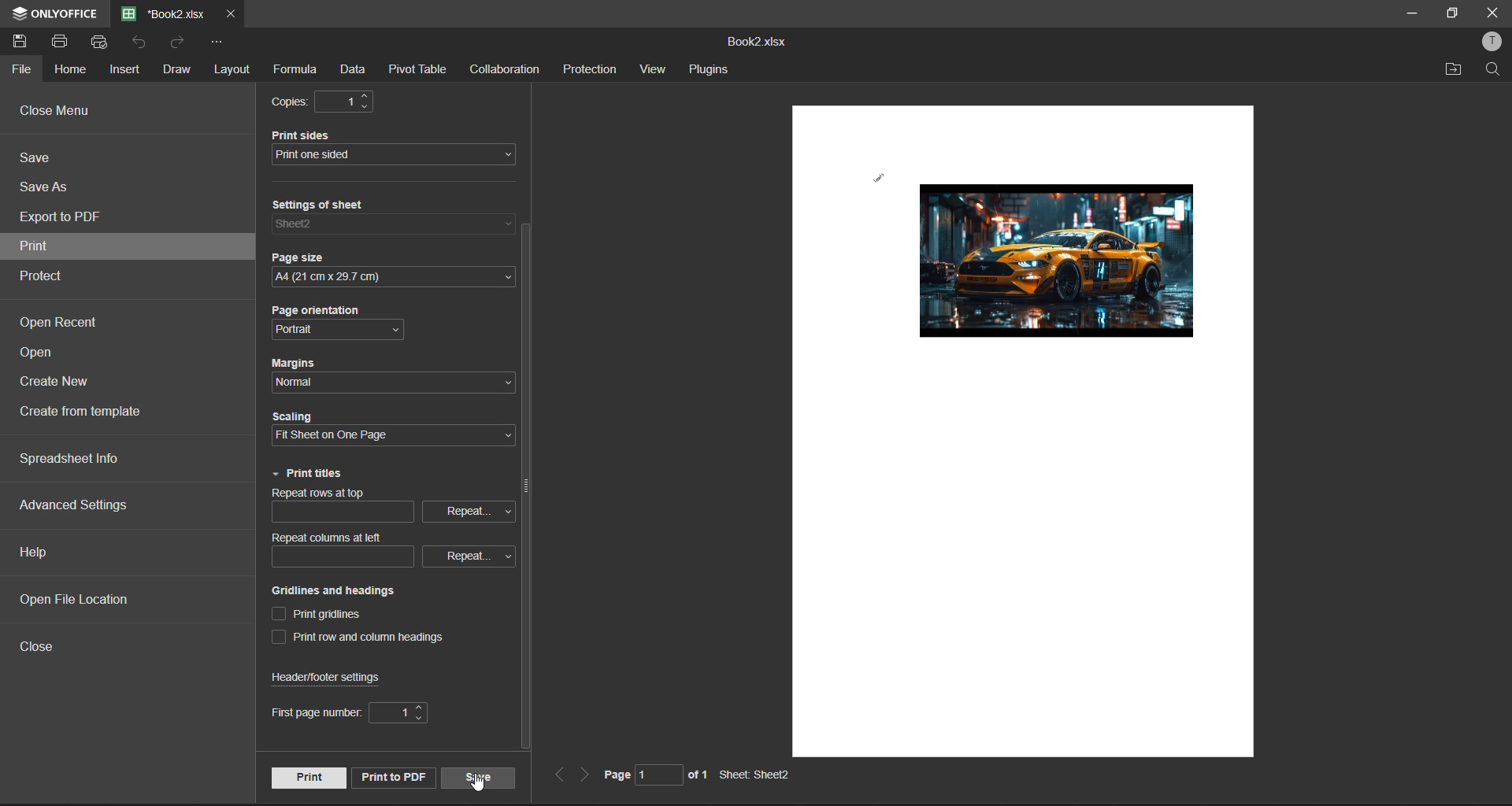 Image resolution: width=1512 pixels, height=806 pixels. I want to click on data, so click(358, 68).